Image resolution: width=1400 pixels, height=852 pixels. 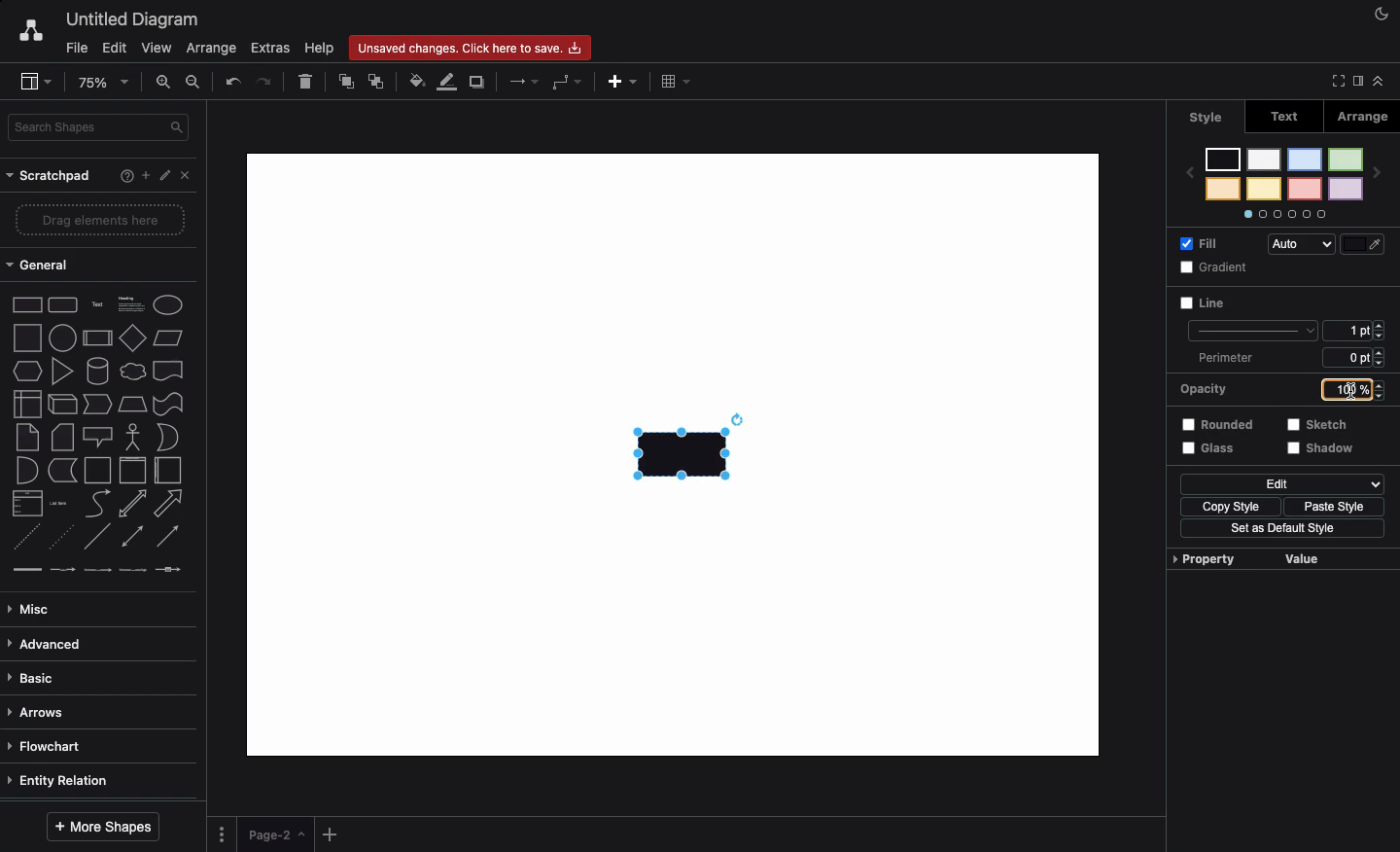 I want to click on connector with 2 labels, so click(x=97, y=571).